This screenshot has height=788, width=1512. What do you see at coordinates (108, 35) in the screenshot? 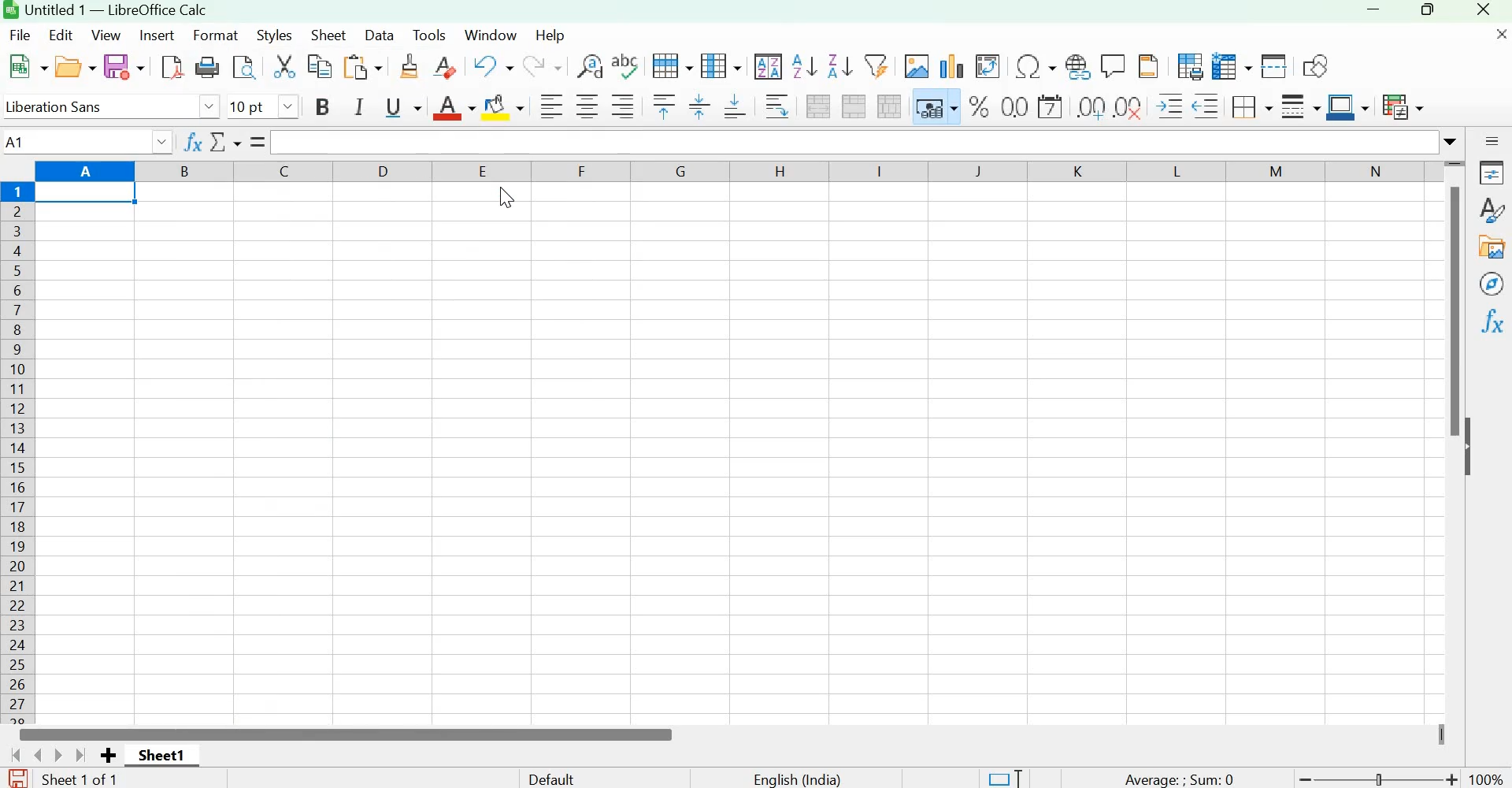
I see `View` at bounding box center [108, 35].